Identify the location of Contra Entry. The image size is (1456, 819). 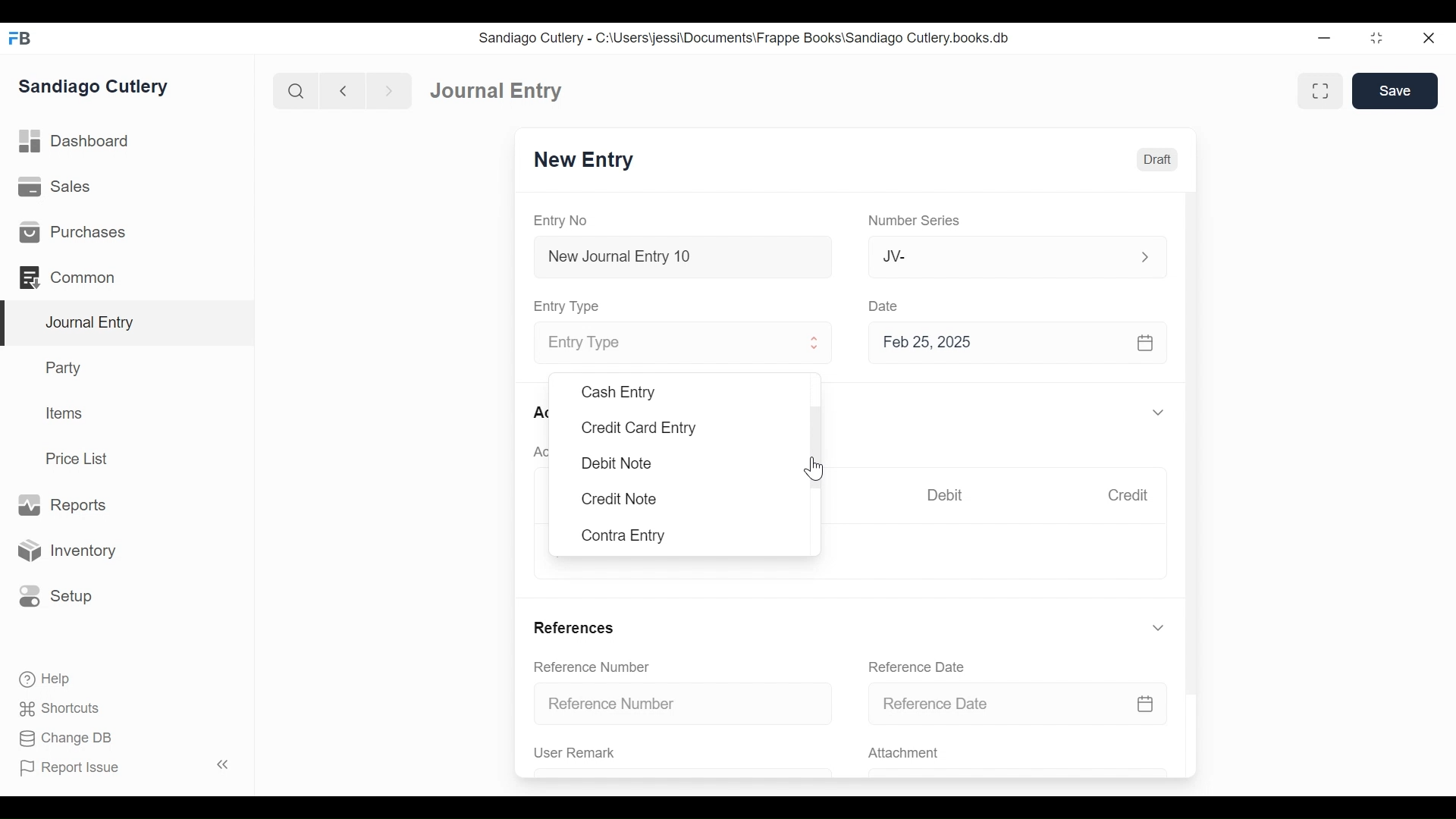
(626, 535).